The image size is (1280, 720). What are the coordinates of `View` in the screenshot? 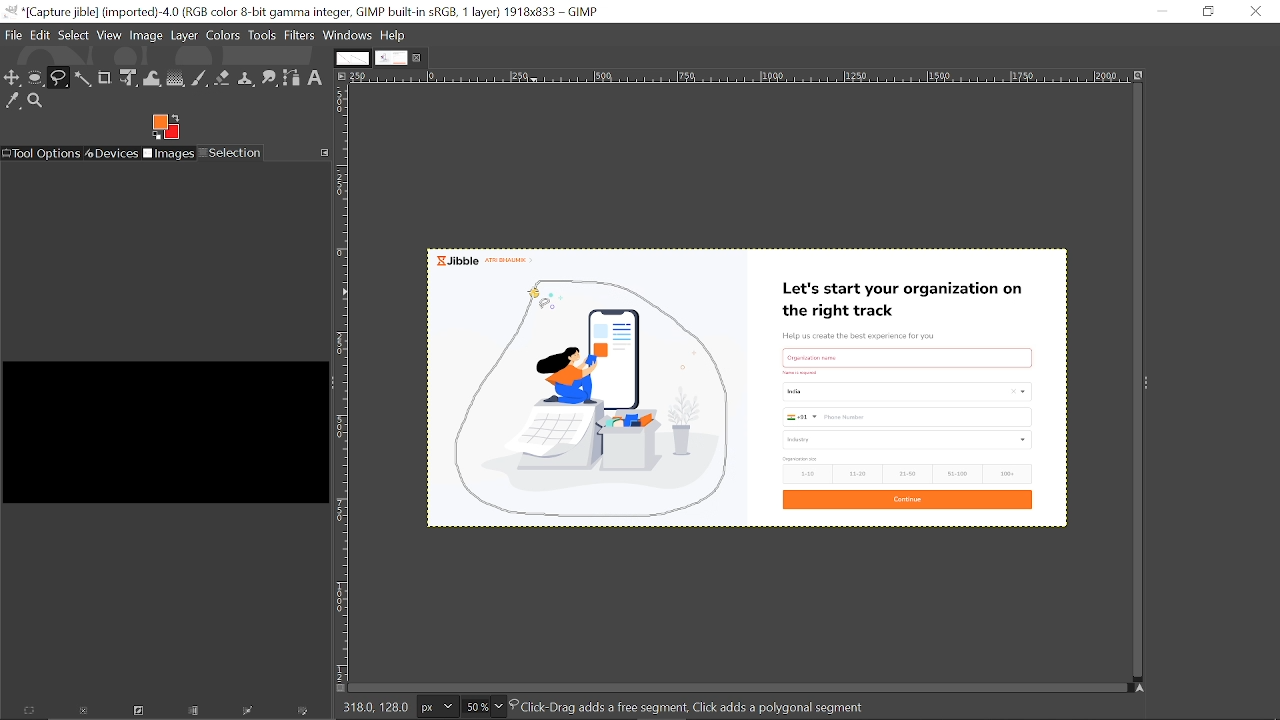 It's located at (110, 35).